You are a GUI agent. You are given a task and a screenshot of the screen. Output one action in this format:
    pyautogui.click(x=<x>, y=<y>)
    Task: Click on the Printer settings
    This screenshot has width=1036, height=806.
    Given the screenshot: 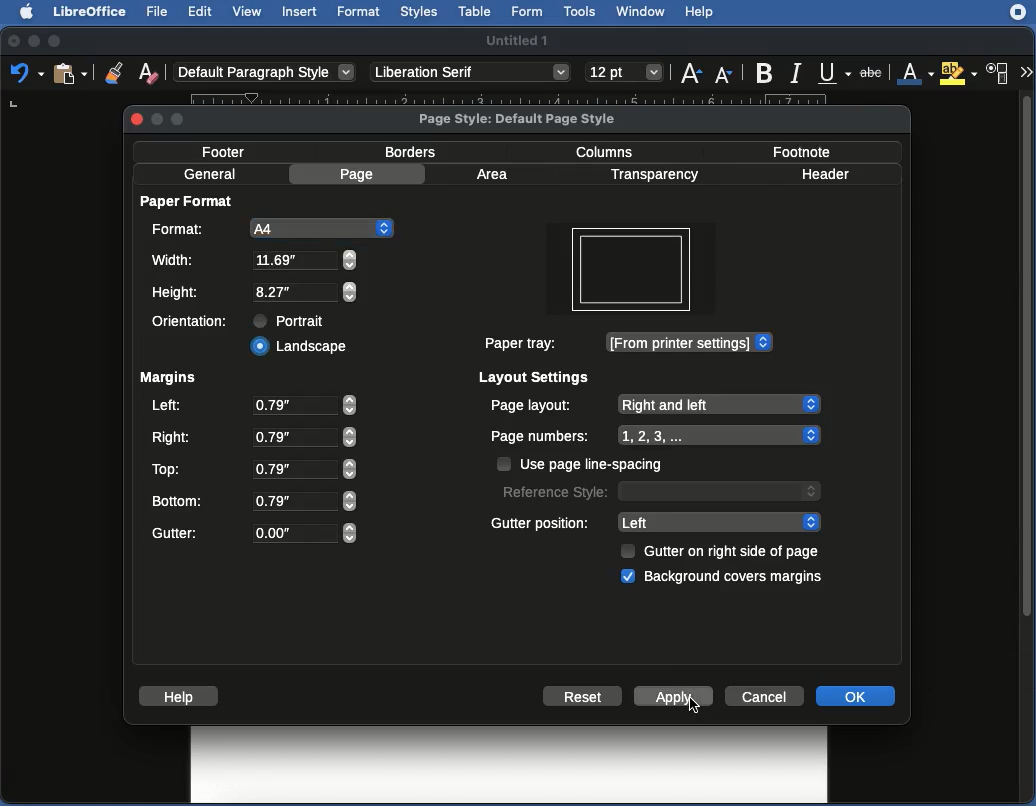 What is the action you would take?
    pyautogui.click(x=690, y=343)
    